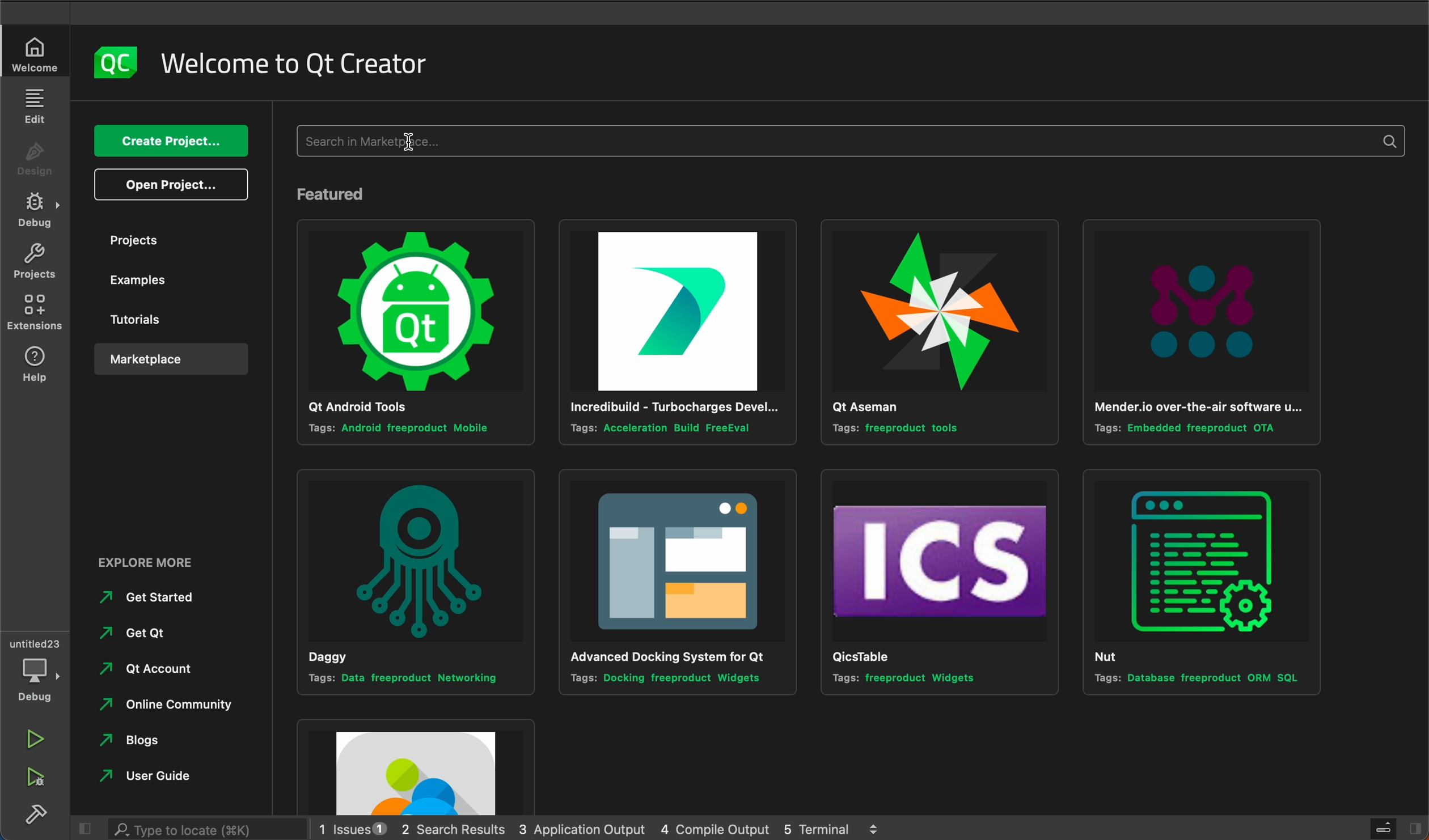 The width and height of the screenshot is (1429, 840). I want to click on , so click(938, 583).